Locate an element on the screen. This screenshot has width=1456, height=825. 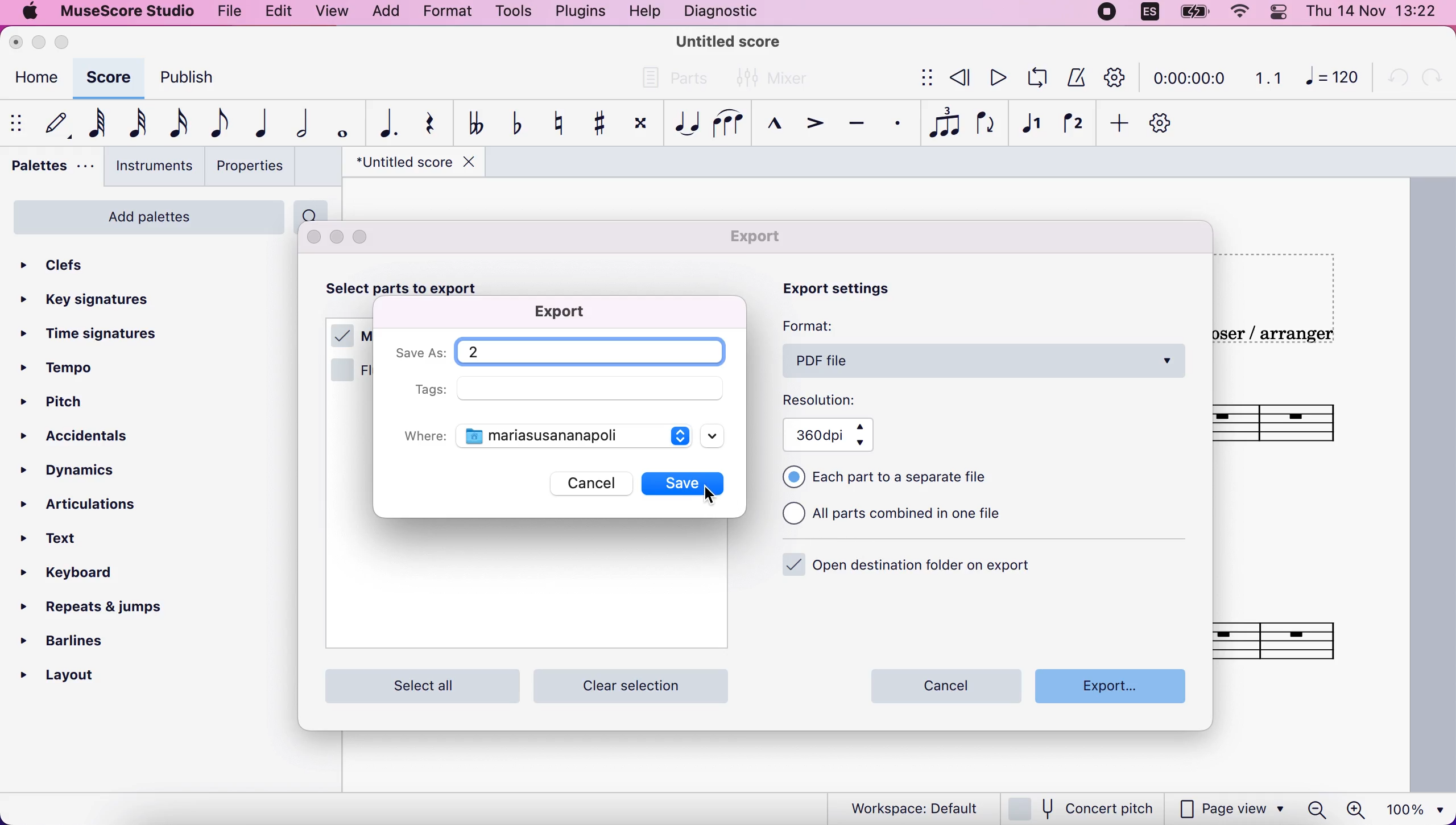
augmentation dot is located at coordinates (384, 123).